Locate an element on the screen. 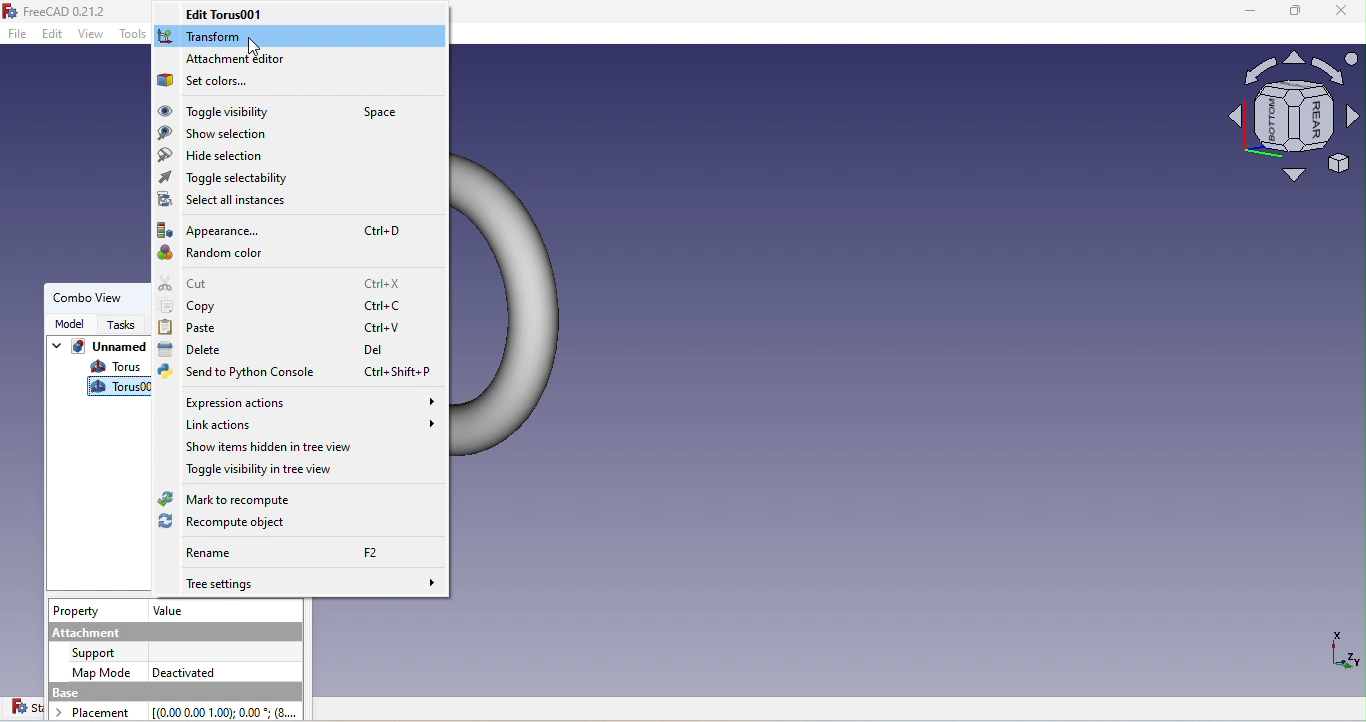 The image size is (1366, 722). Set colors is located at coordinates (203, 81).